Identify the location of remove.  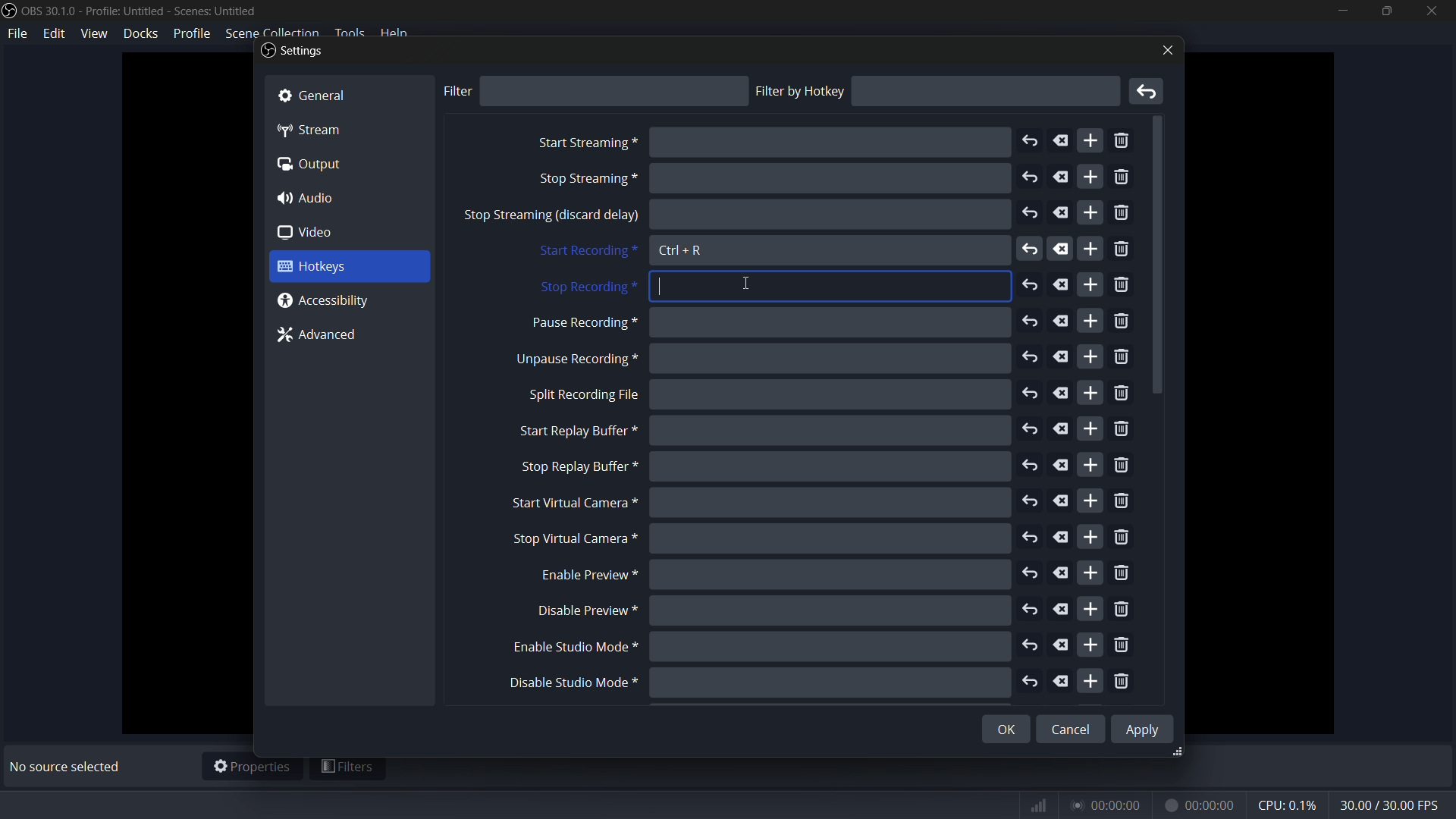
(1123, 179).